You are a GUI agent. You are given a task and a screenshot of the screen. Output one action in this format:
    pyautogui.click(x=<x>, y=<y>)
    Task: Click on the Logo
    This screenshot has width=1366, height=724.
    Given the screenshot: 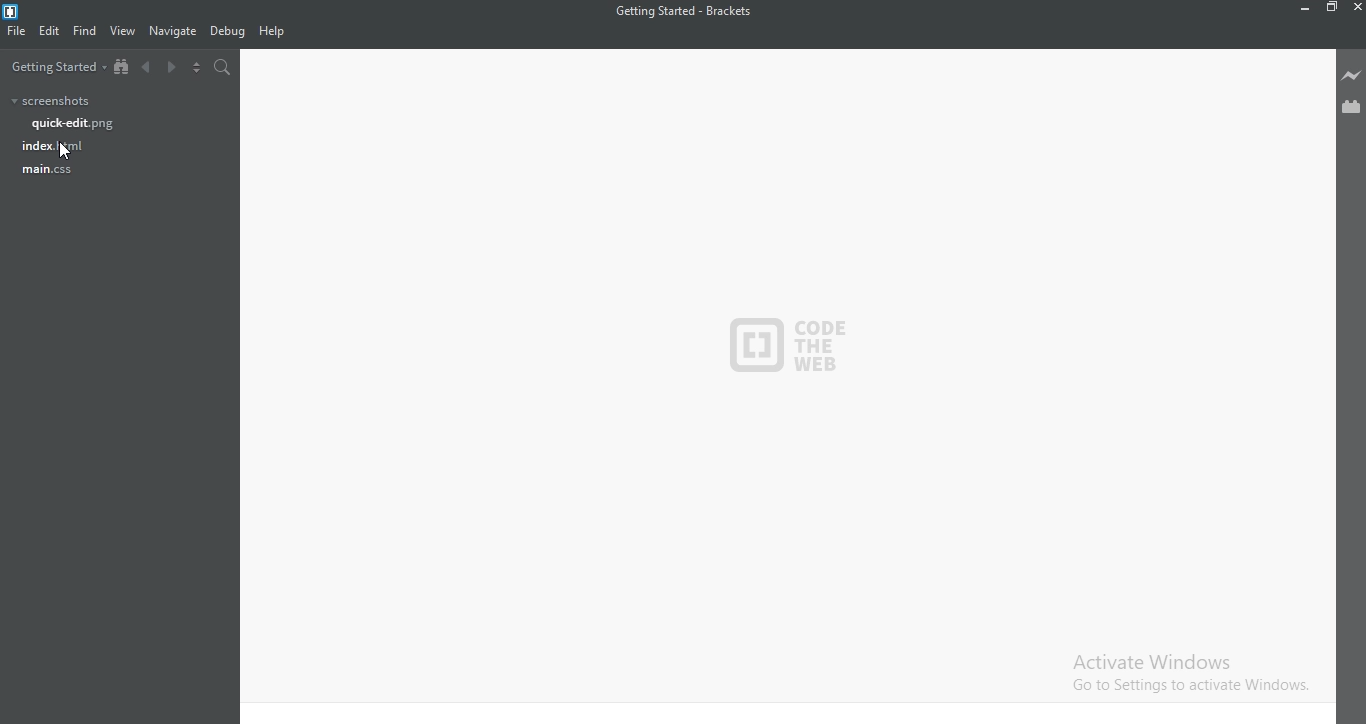 What is the action you would take?
    pyautogui.click(x=29, y=11)
    